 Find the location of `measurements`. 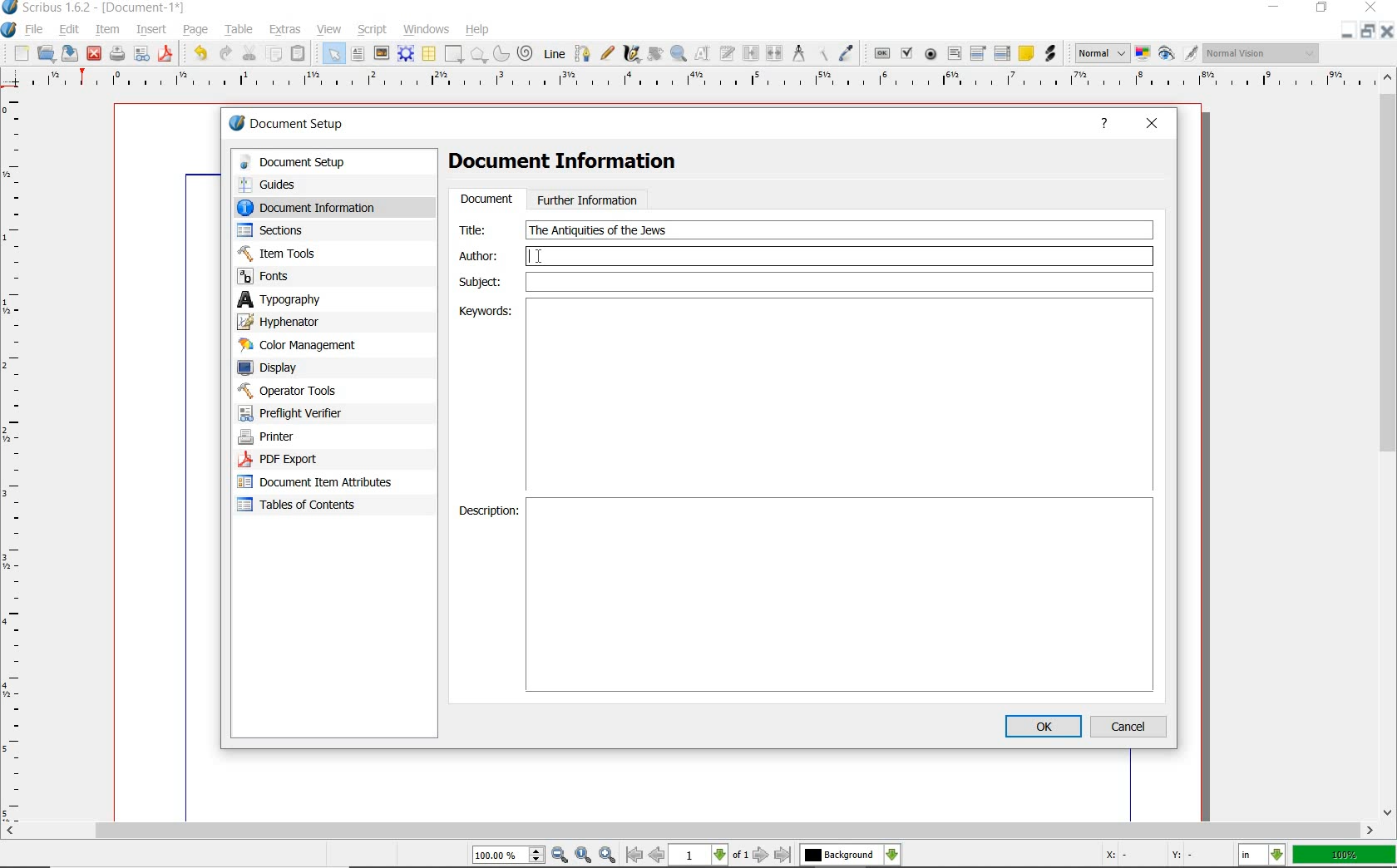

measurements is located at coordinates (797, 53).